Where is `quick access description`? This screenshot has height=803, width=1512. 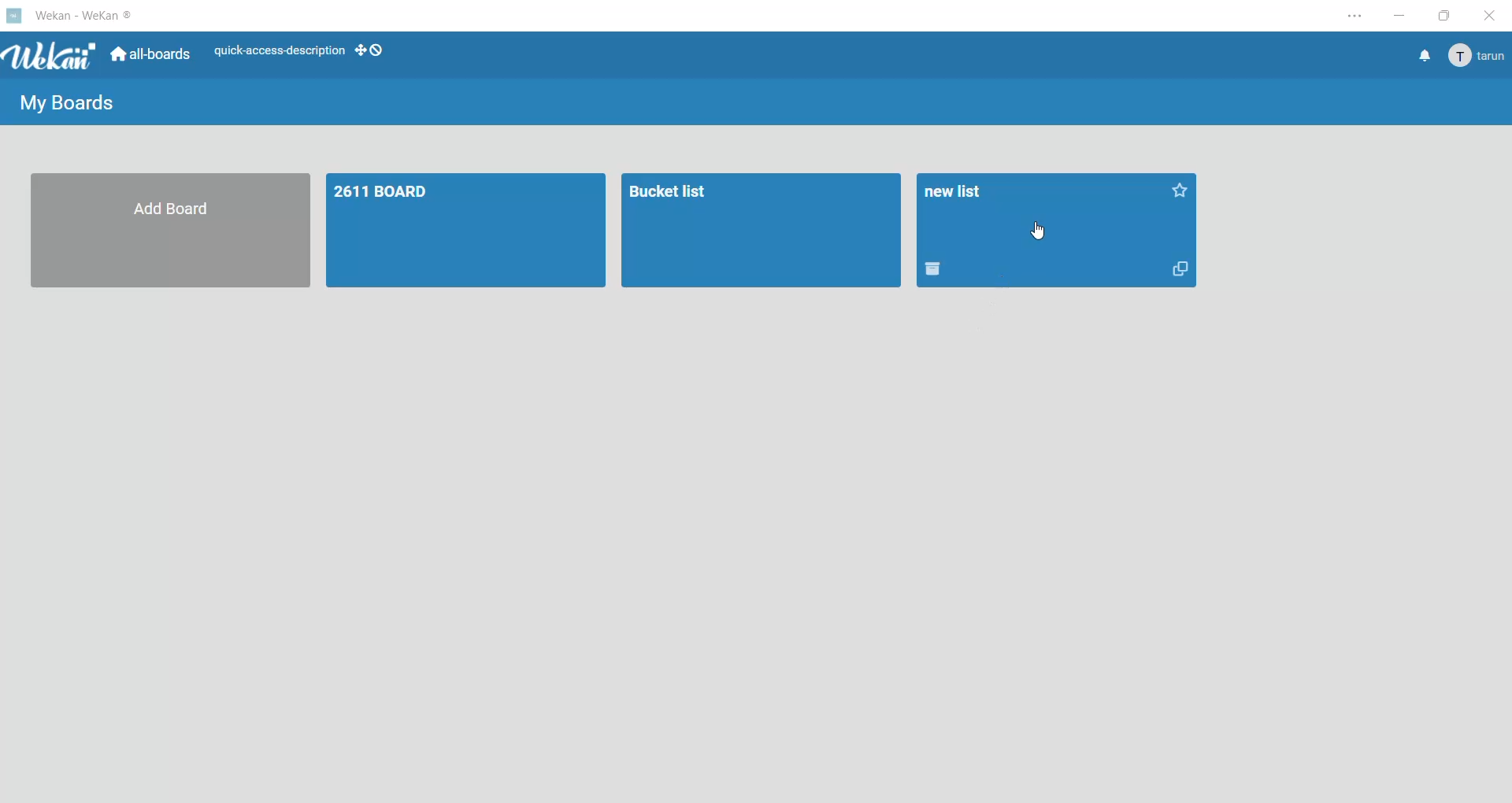
quick access description is located at coordinates (279, 49).